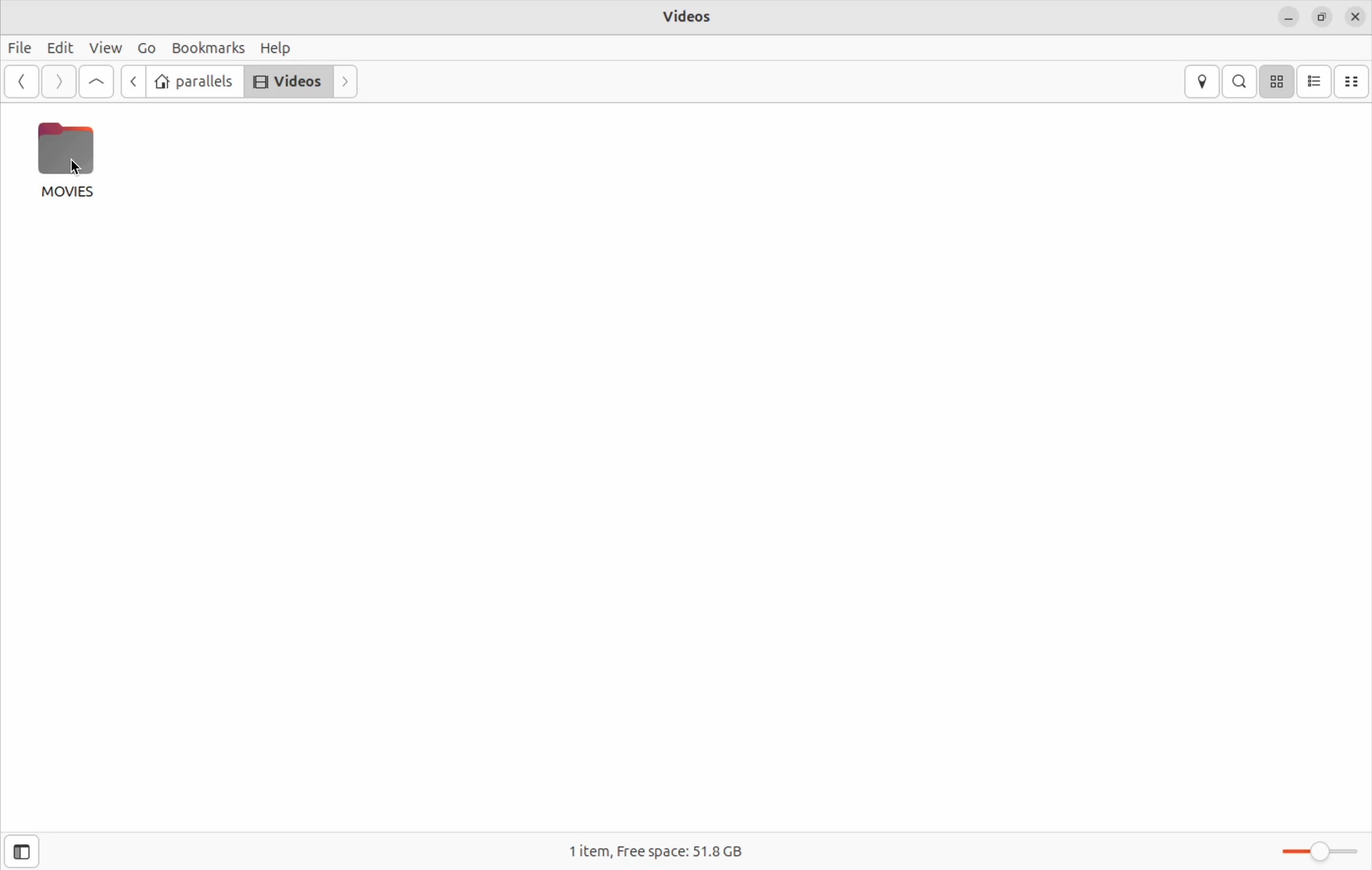 This screenshot has height=870, width=1372. What do you see at coordinates (209, 47) in the screenshot?
I see `bookmarks` at bounding box center [209, 47].